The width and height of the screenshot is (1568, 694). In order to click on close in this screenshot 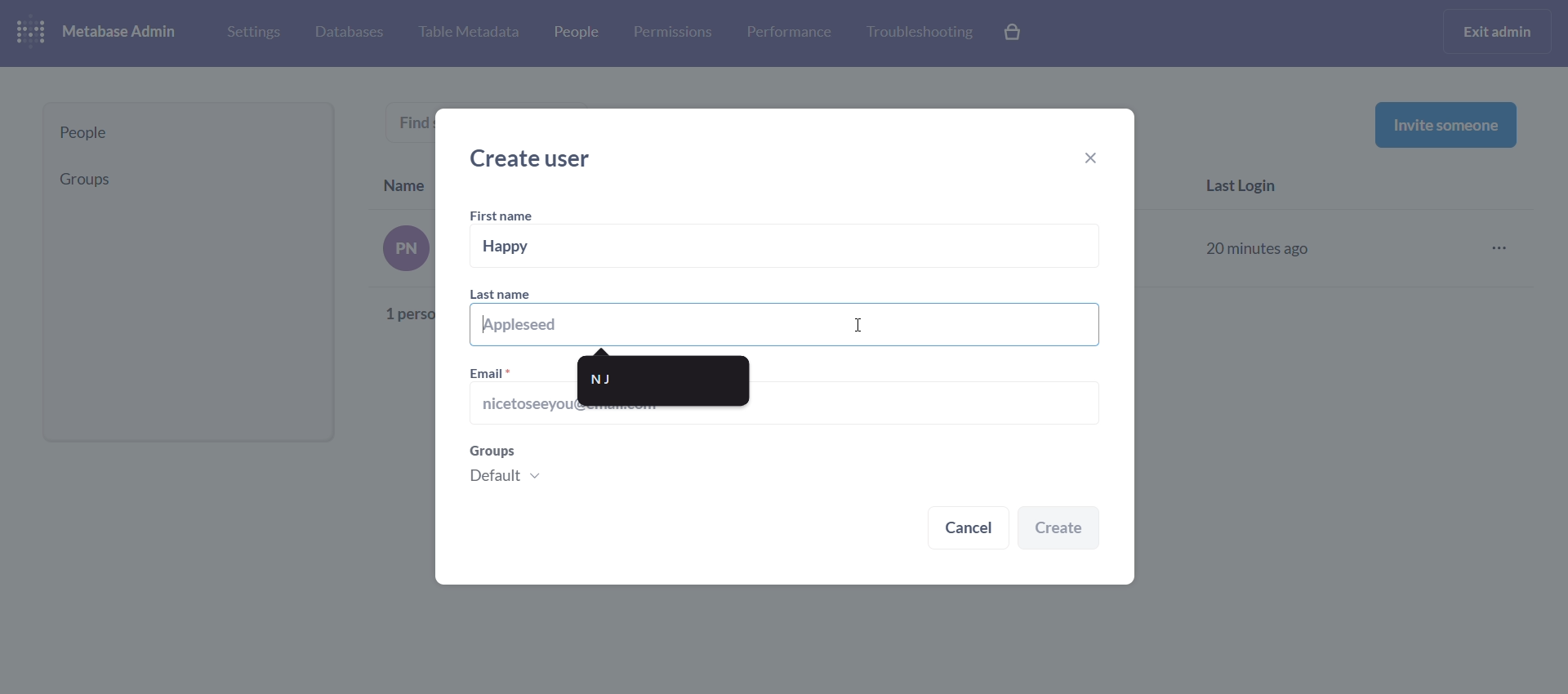, I will do `click(1098, 160)`.